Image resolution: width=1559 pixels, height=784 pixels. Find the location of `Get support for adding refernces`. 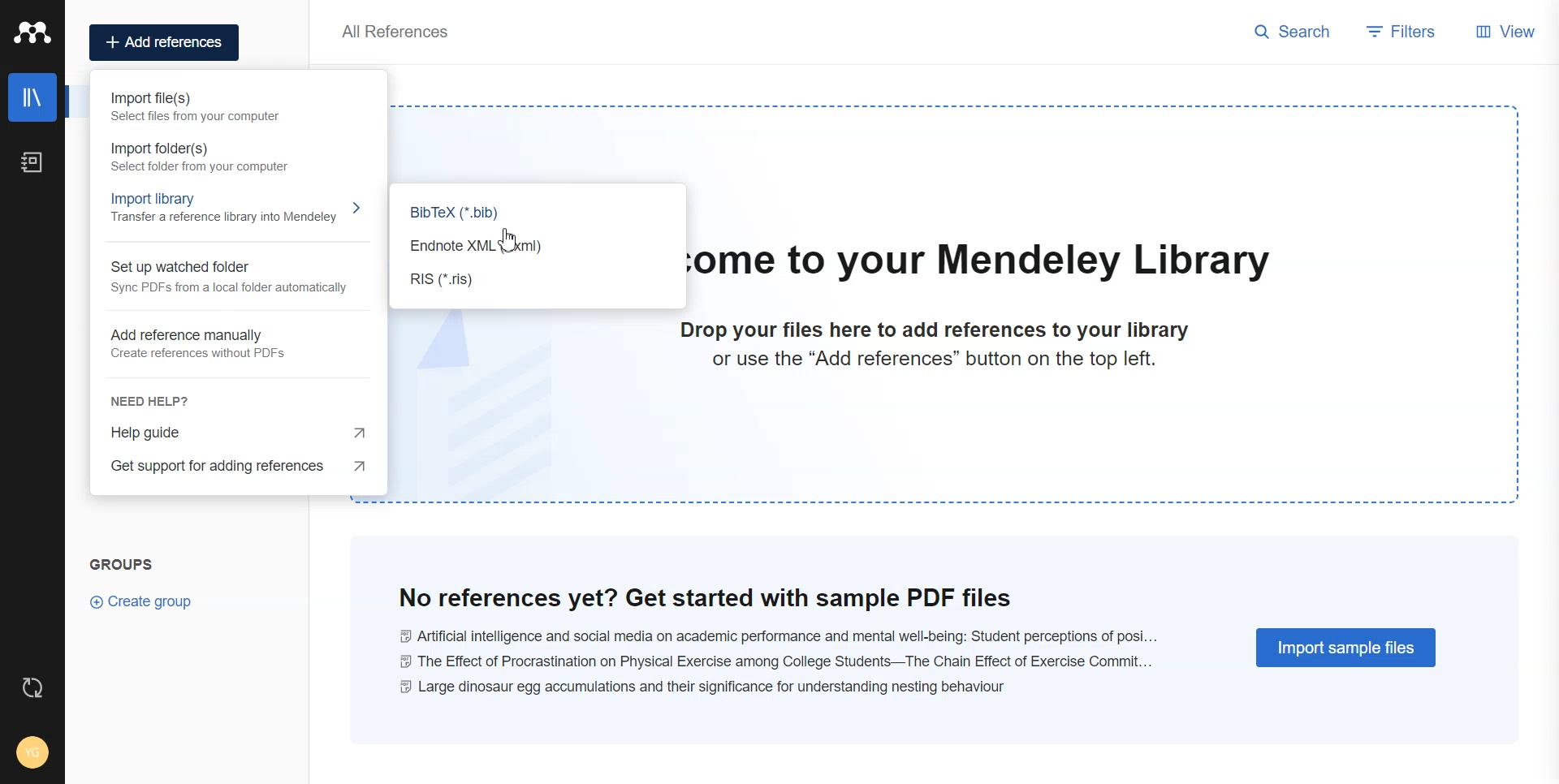

Get support for adding refernces is located at coordinates (235, 474).